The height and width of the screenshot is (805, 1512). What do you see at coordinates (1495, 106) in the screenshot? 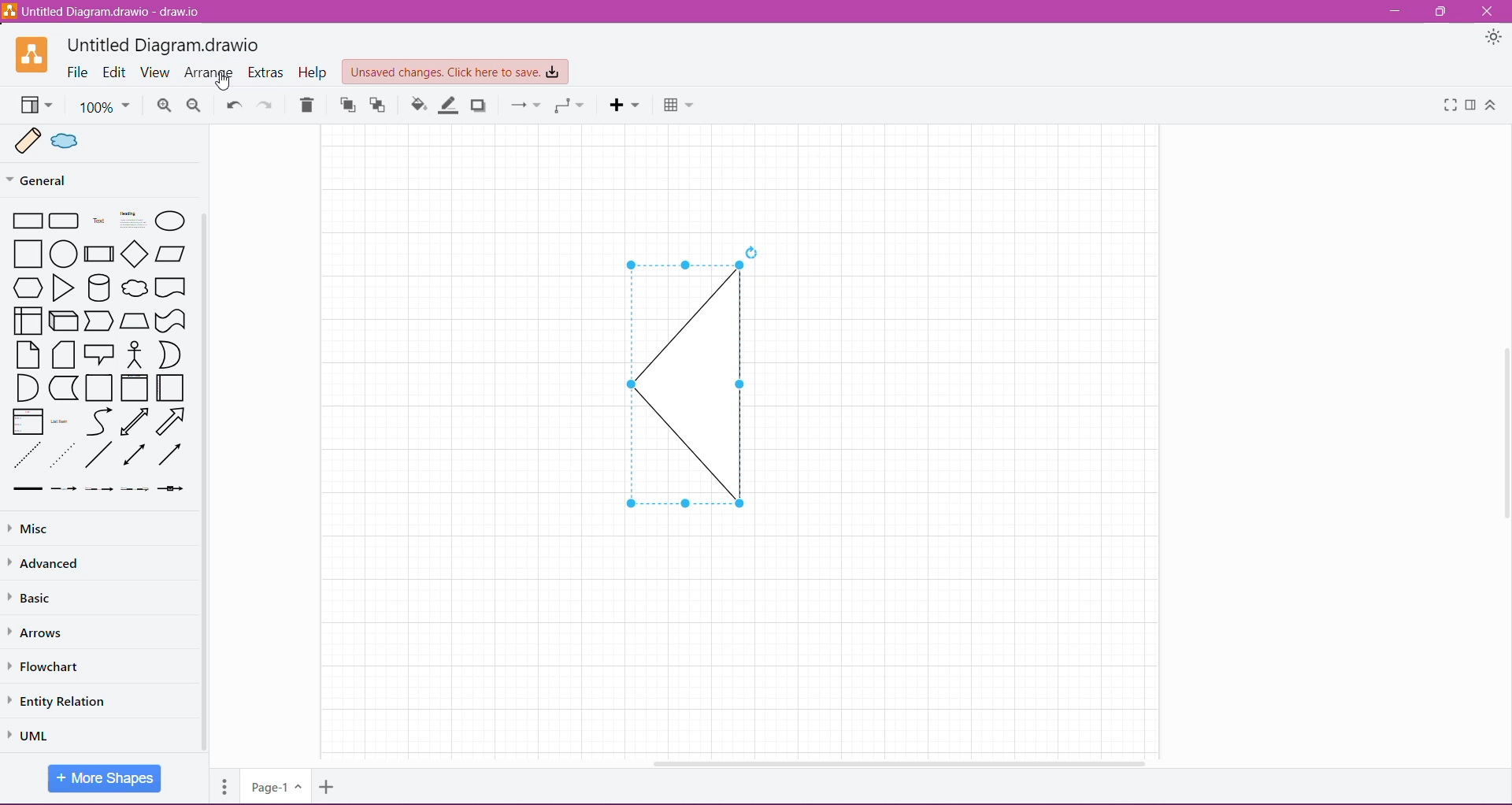
I see `Expand/Collapse` at bounding box center [1495, 106].